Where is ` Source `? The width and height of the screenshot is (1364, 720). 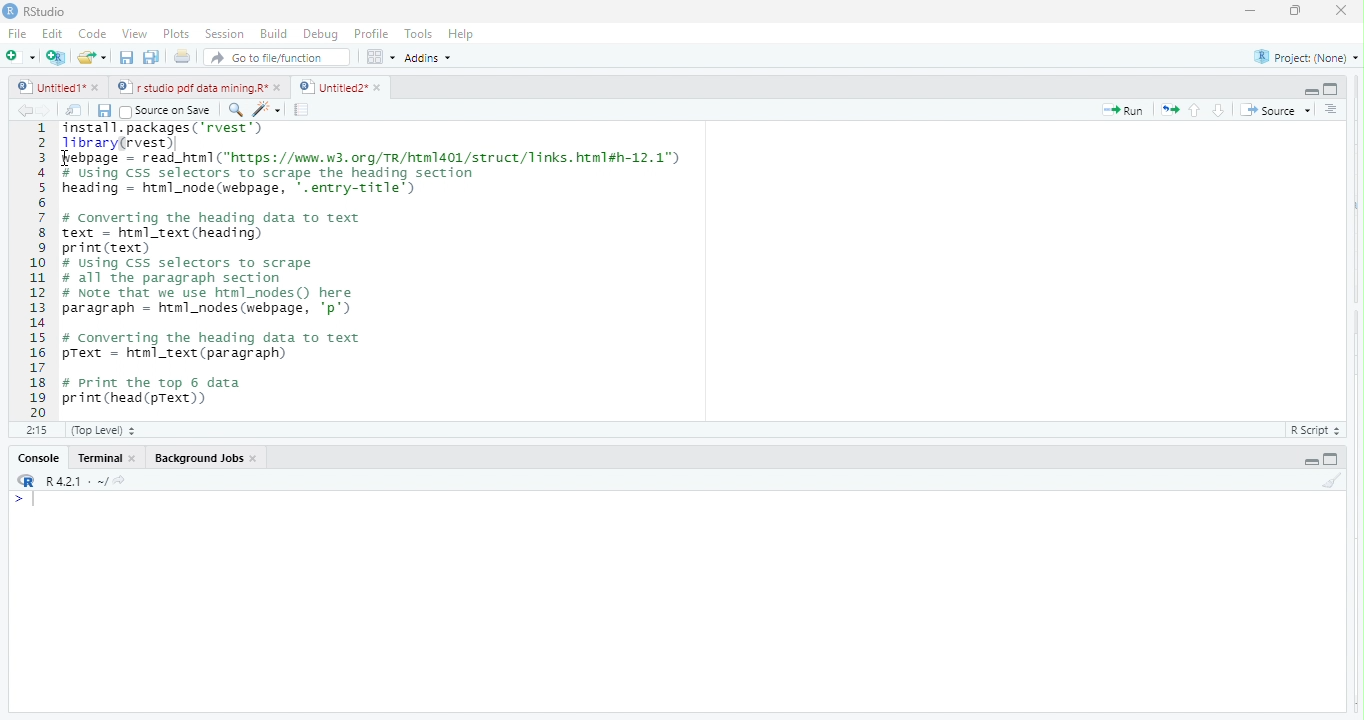  Source  is located at coordinates (1276, 112).